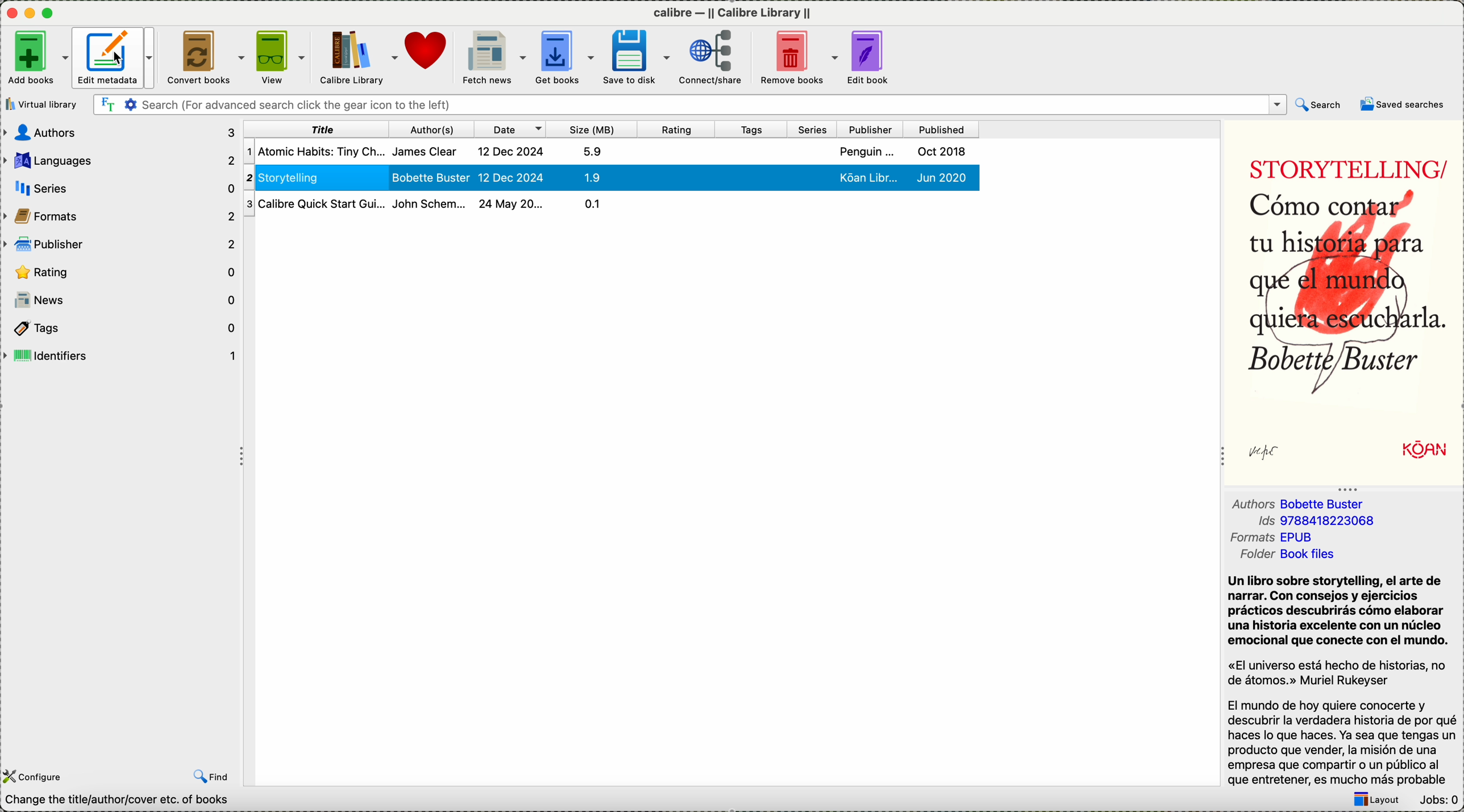  I want to click on search, so click(1319, 106).